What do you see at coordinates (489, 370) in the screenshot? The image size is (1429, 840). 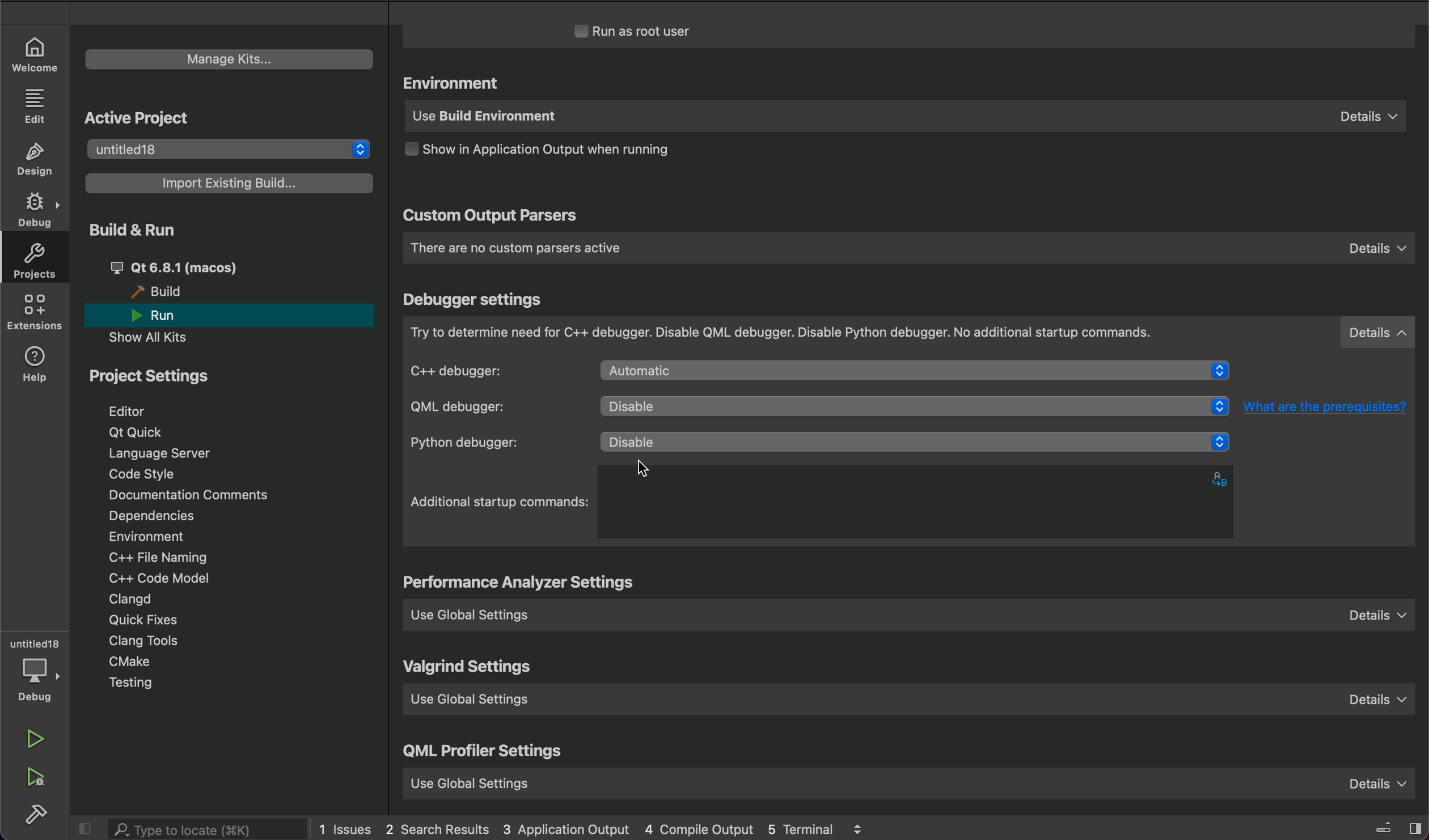 I see `c++ ` at bounding box center [489, 370].